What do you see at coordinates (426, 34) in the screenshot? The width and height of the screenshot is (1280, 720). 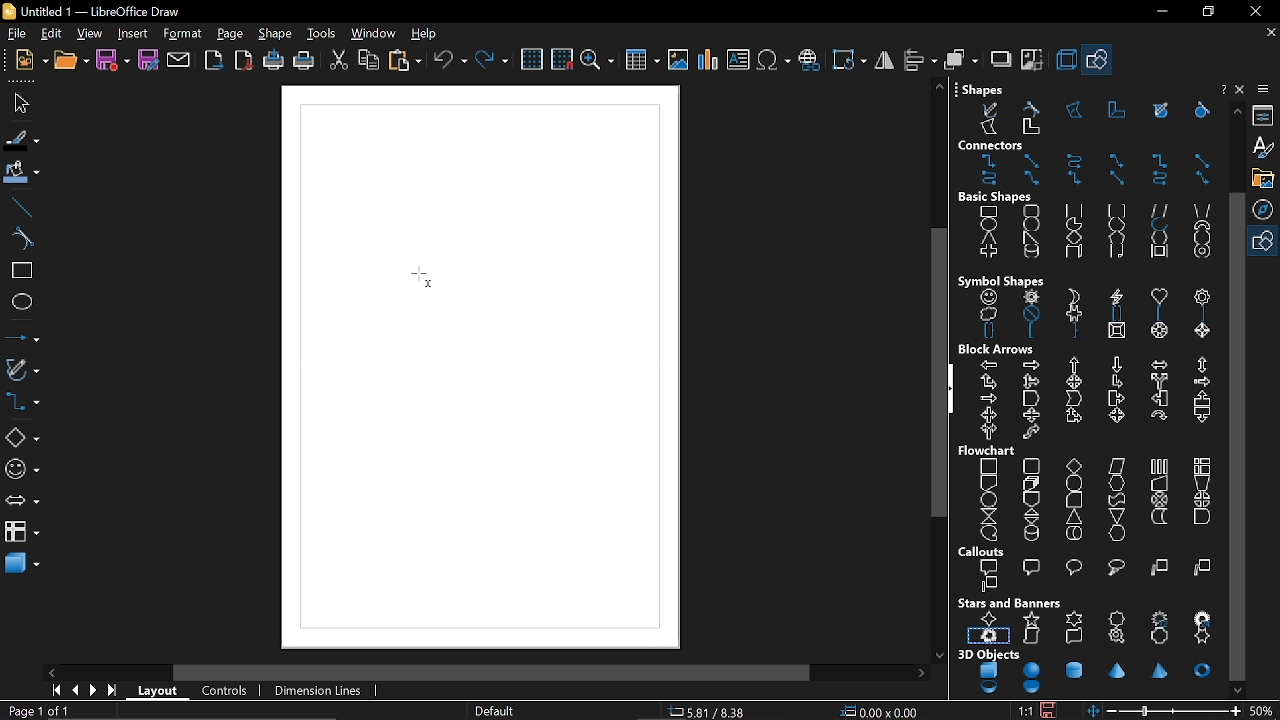 I see `help` at bounding box center [426, 34].